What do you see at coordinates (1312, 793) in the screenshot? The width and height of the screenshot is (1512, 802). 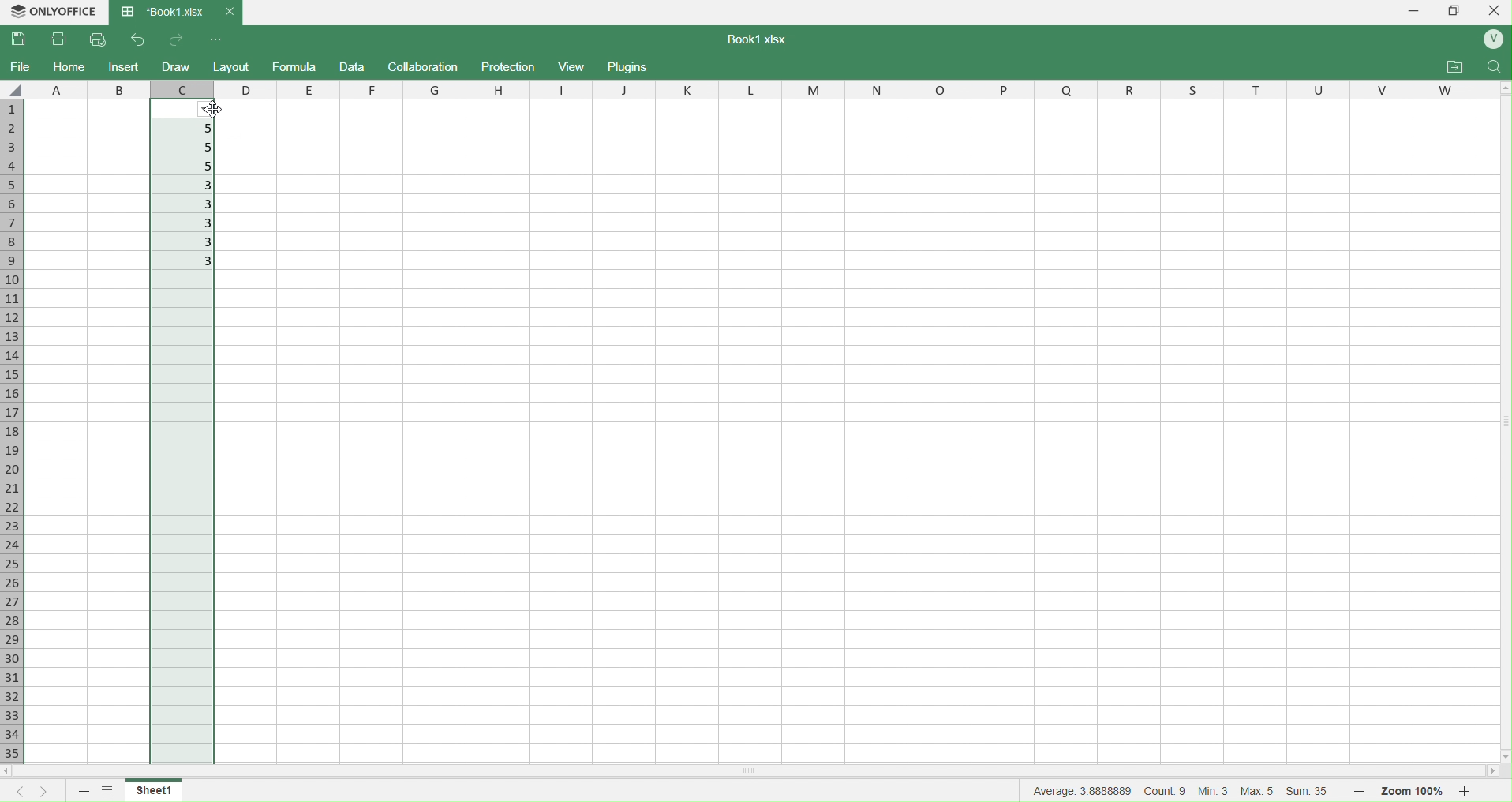 I see `Sum` at bounding box center [1312, 793].